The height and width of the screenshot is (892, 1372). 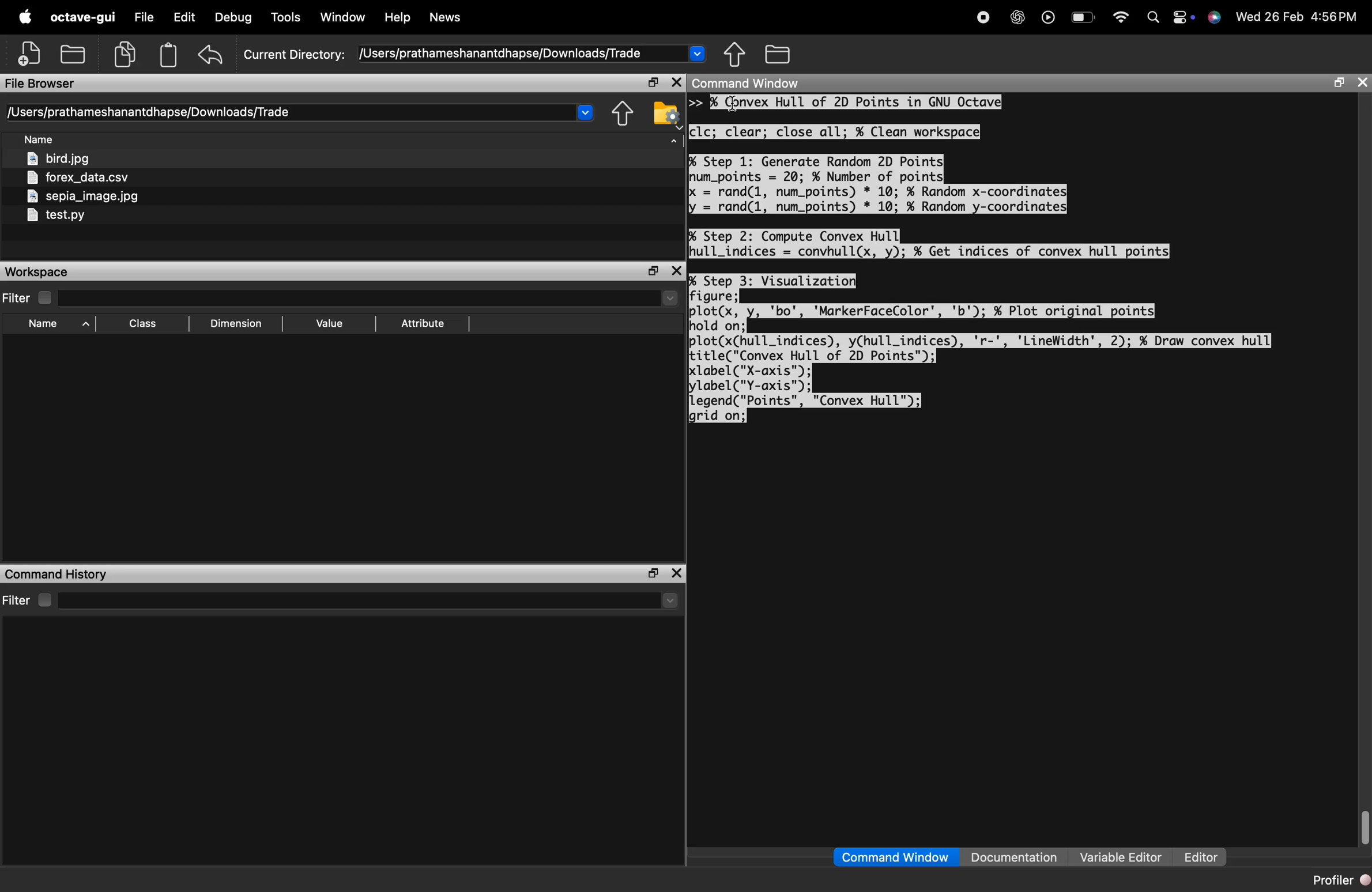 I want to click on separate the window, so click(x=1340, y=83).